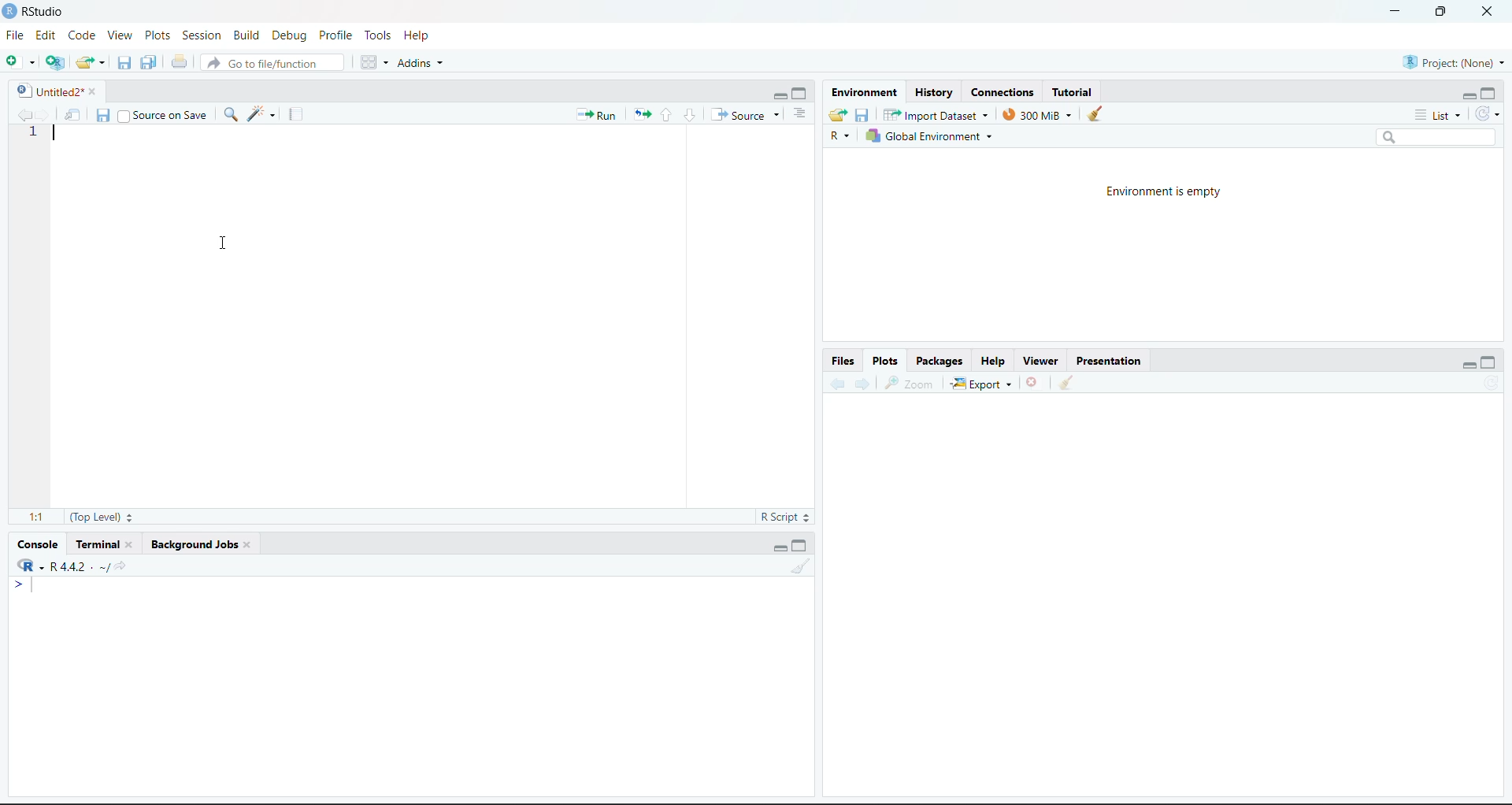  I want to click on global Environment , so click(932, 135).